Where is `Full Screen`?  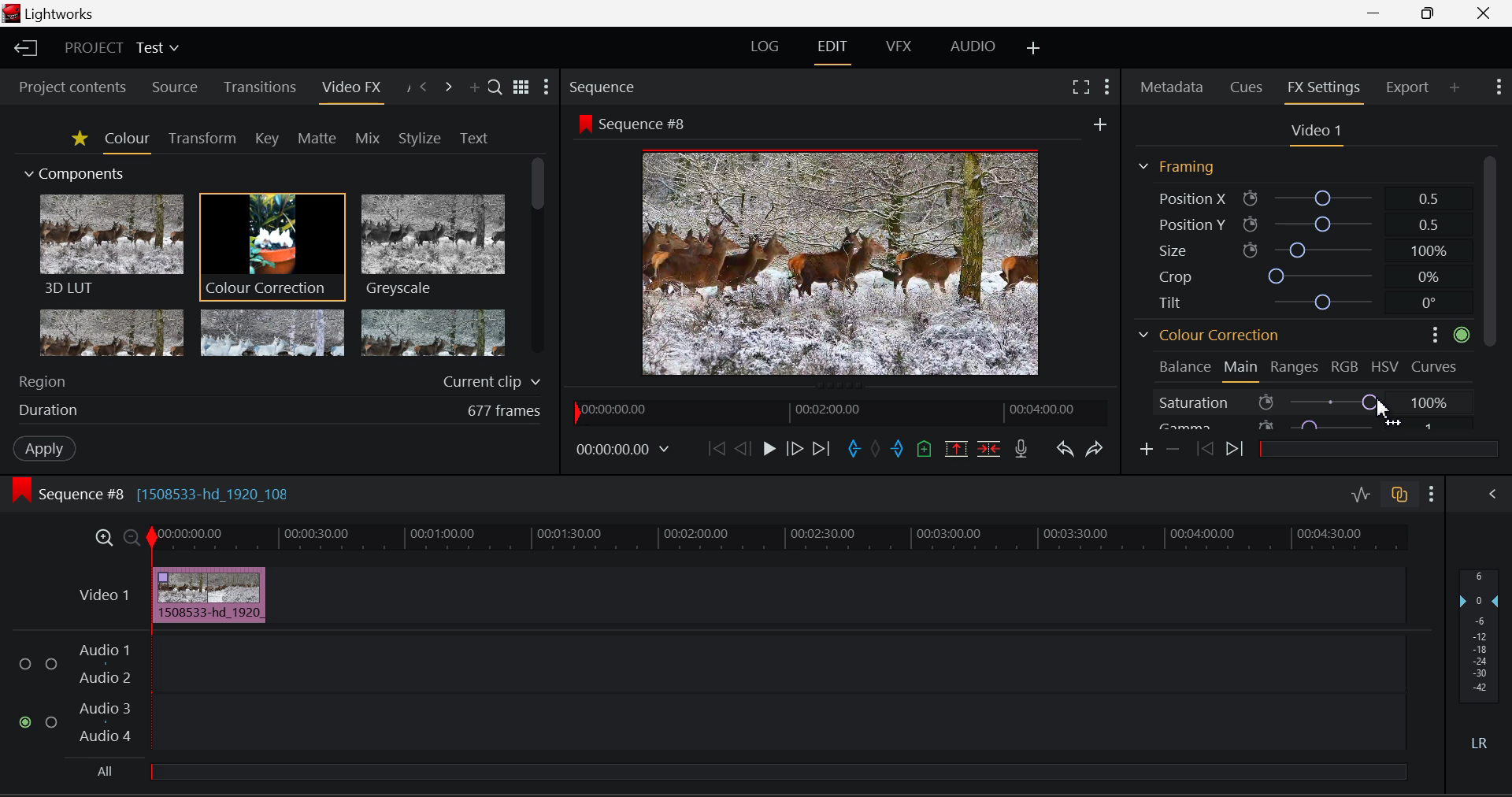
Full Screen is located at coordinates (1081, 88).